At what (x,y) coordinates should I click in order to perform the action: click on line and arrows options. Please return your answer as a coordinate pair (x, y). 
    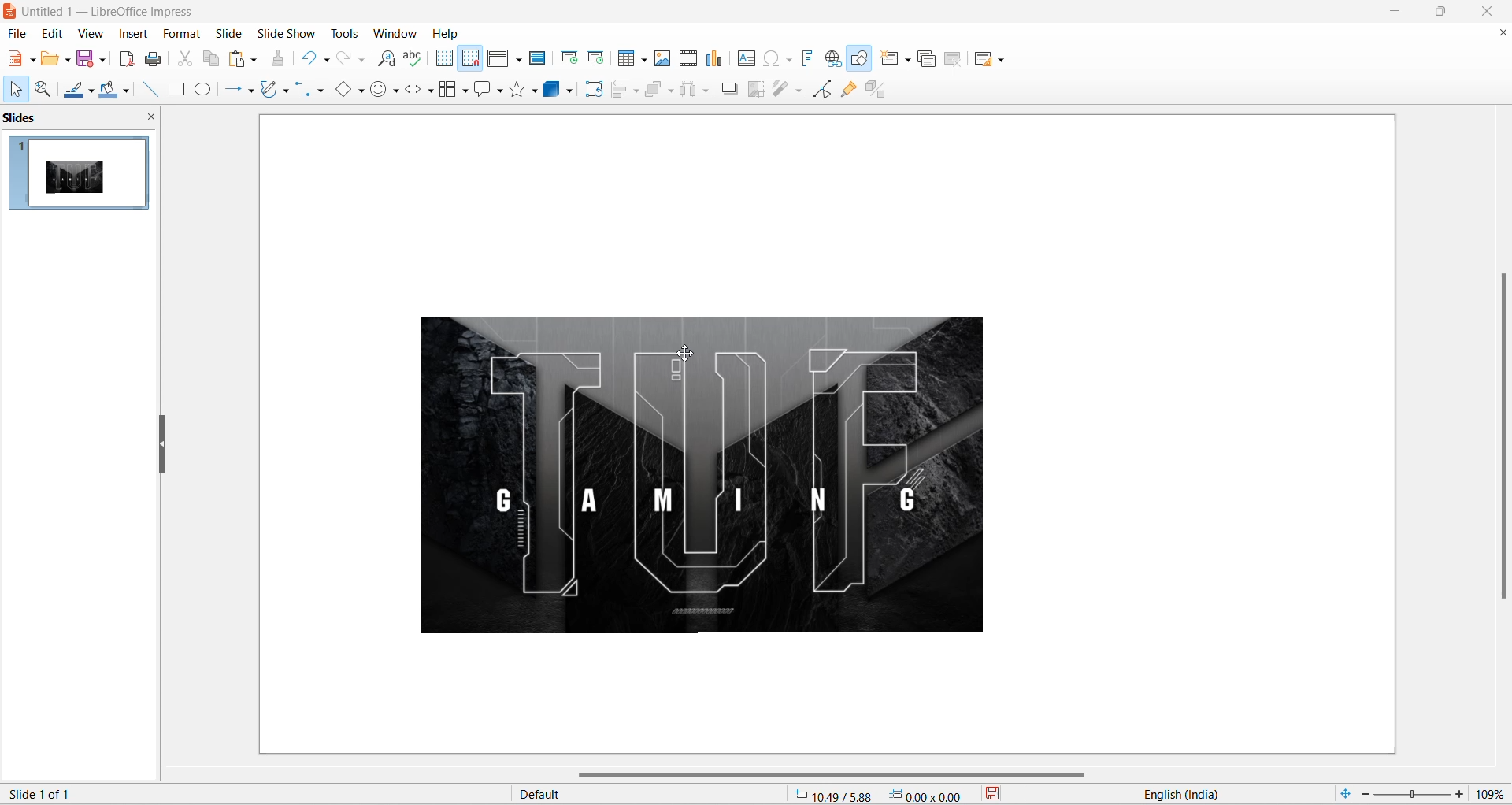
    Looking at the image, I should click on (250, 91).